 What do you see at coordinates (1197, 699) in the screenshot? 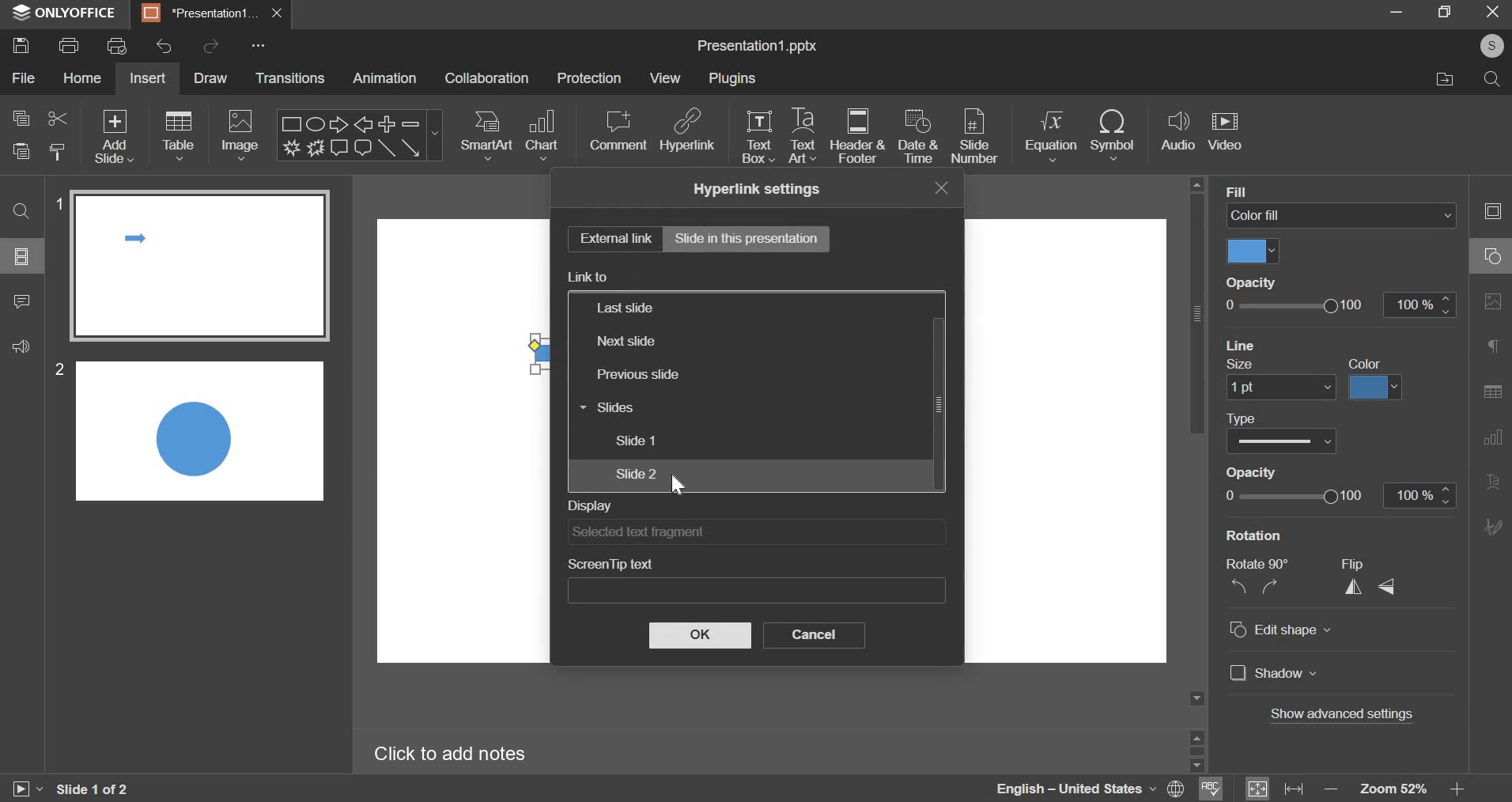
I see `scroll down` at bounding box center [1197, 699].